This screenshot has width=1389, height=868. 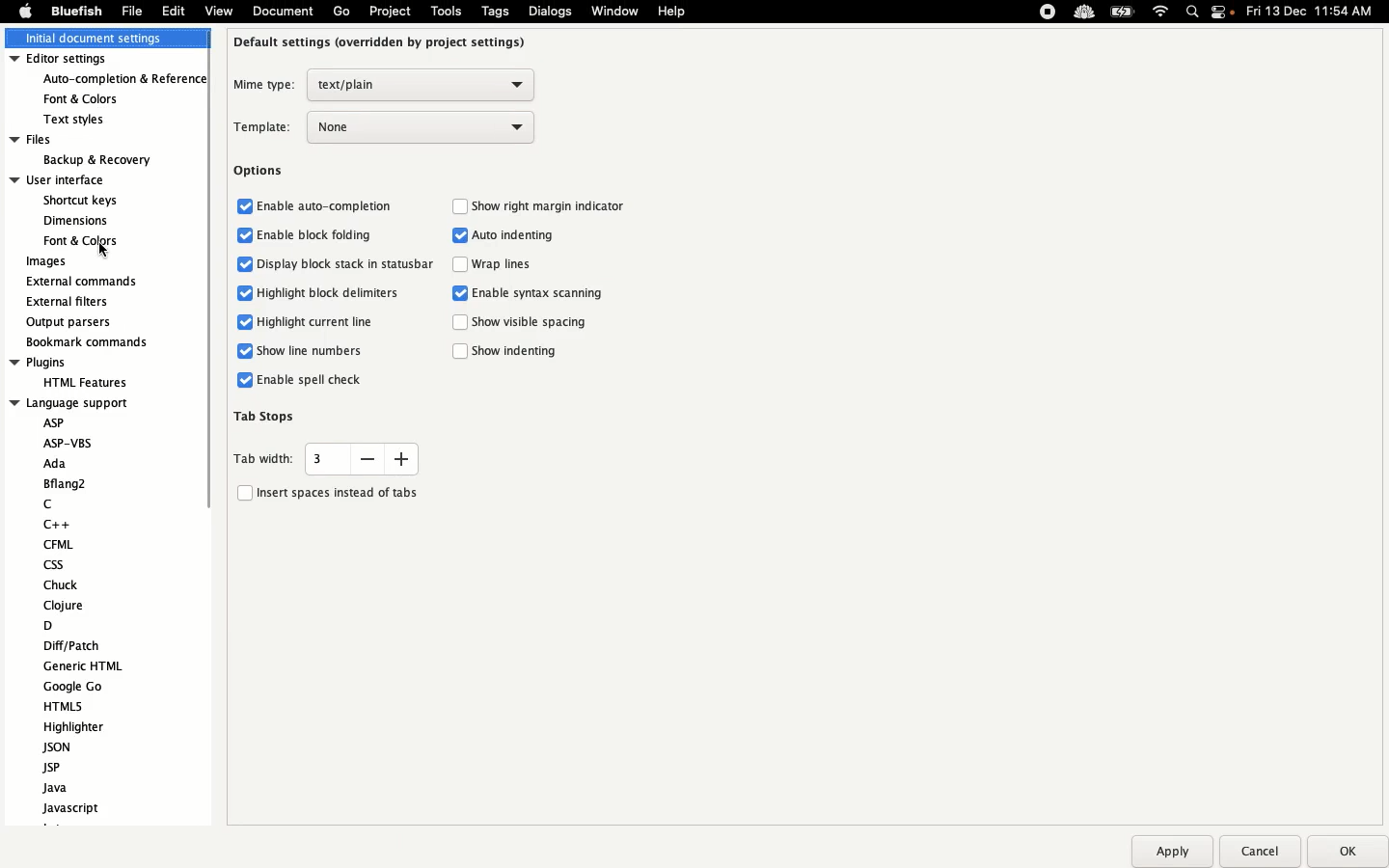 What do you see at coordinates (341, 12) in the screenshot?
I see `Go` at bounding box center [341, 12].